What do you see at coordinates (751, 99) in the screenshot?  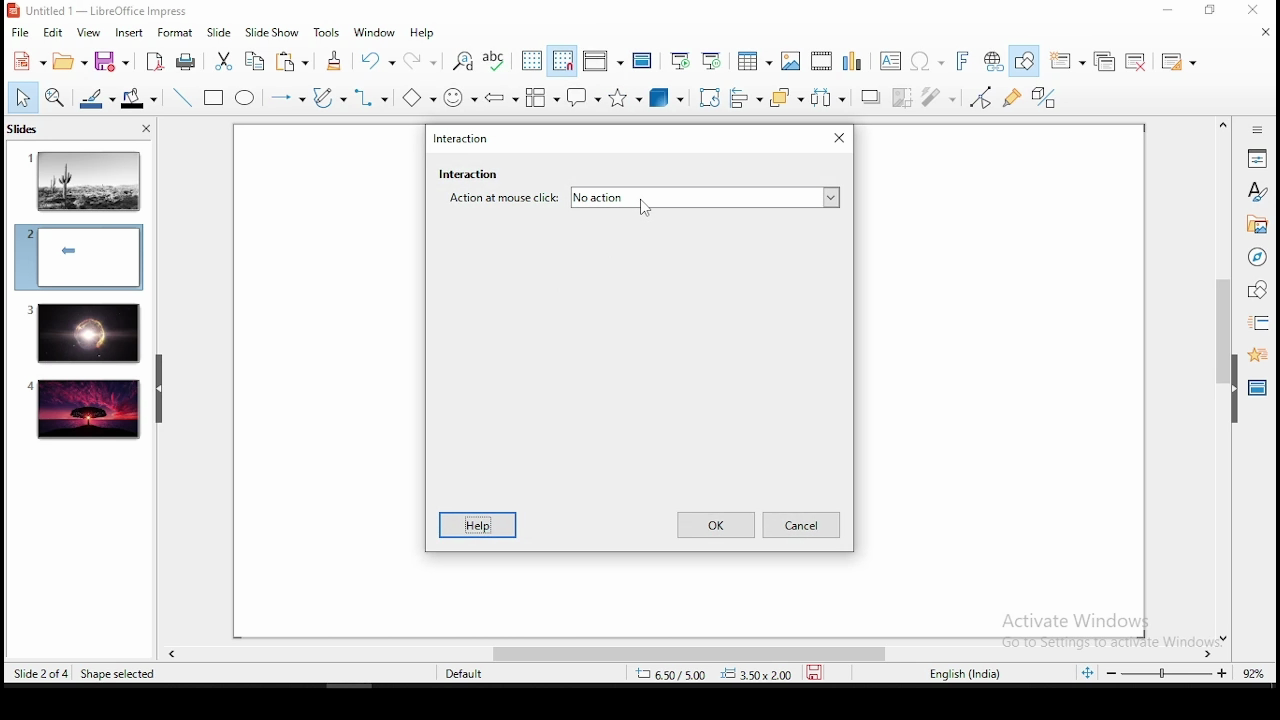 I see `align objects` at bounding box center [751, 99].